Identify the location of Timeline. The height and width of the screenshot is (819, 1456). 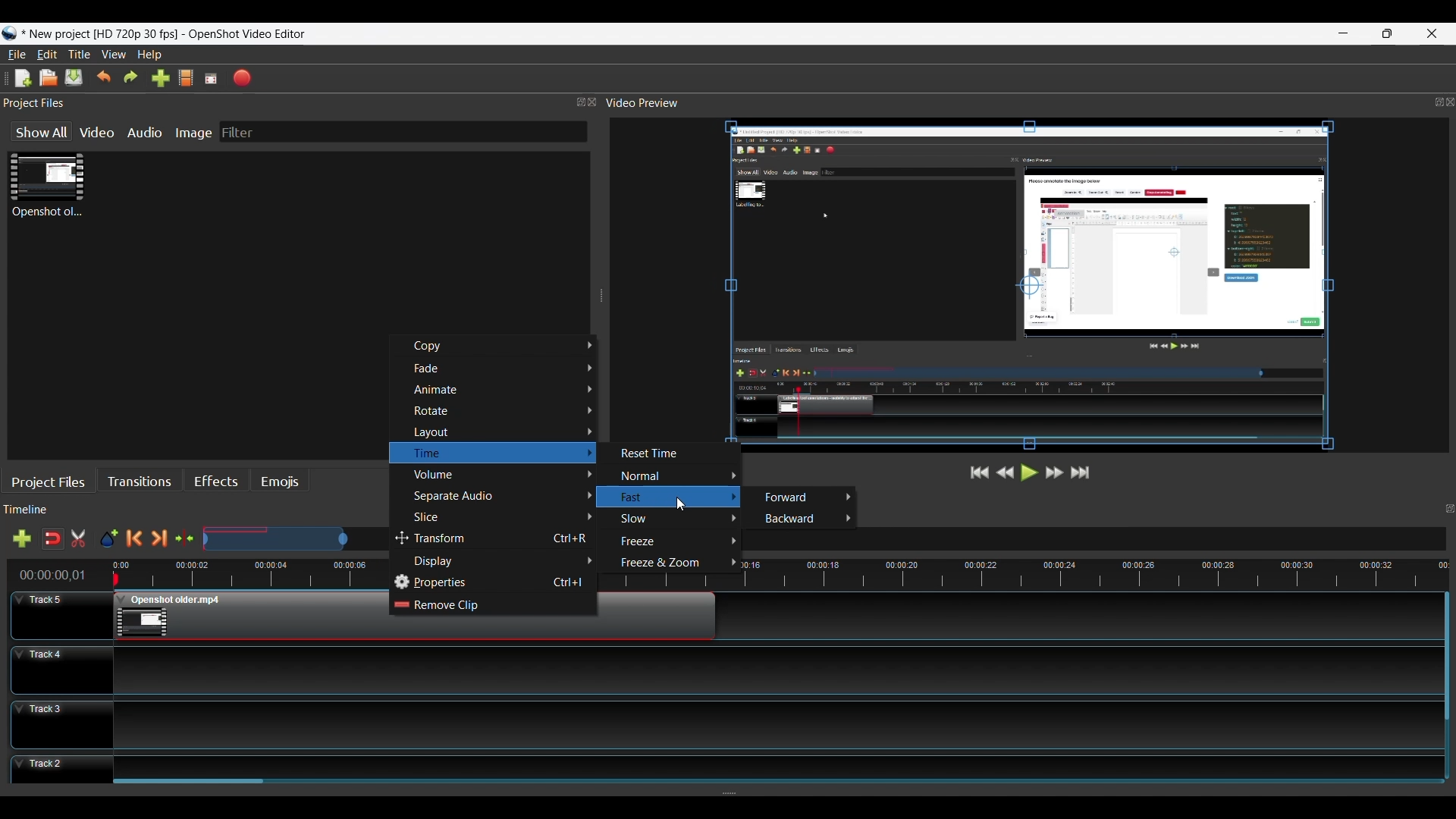
(196, 573).